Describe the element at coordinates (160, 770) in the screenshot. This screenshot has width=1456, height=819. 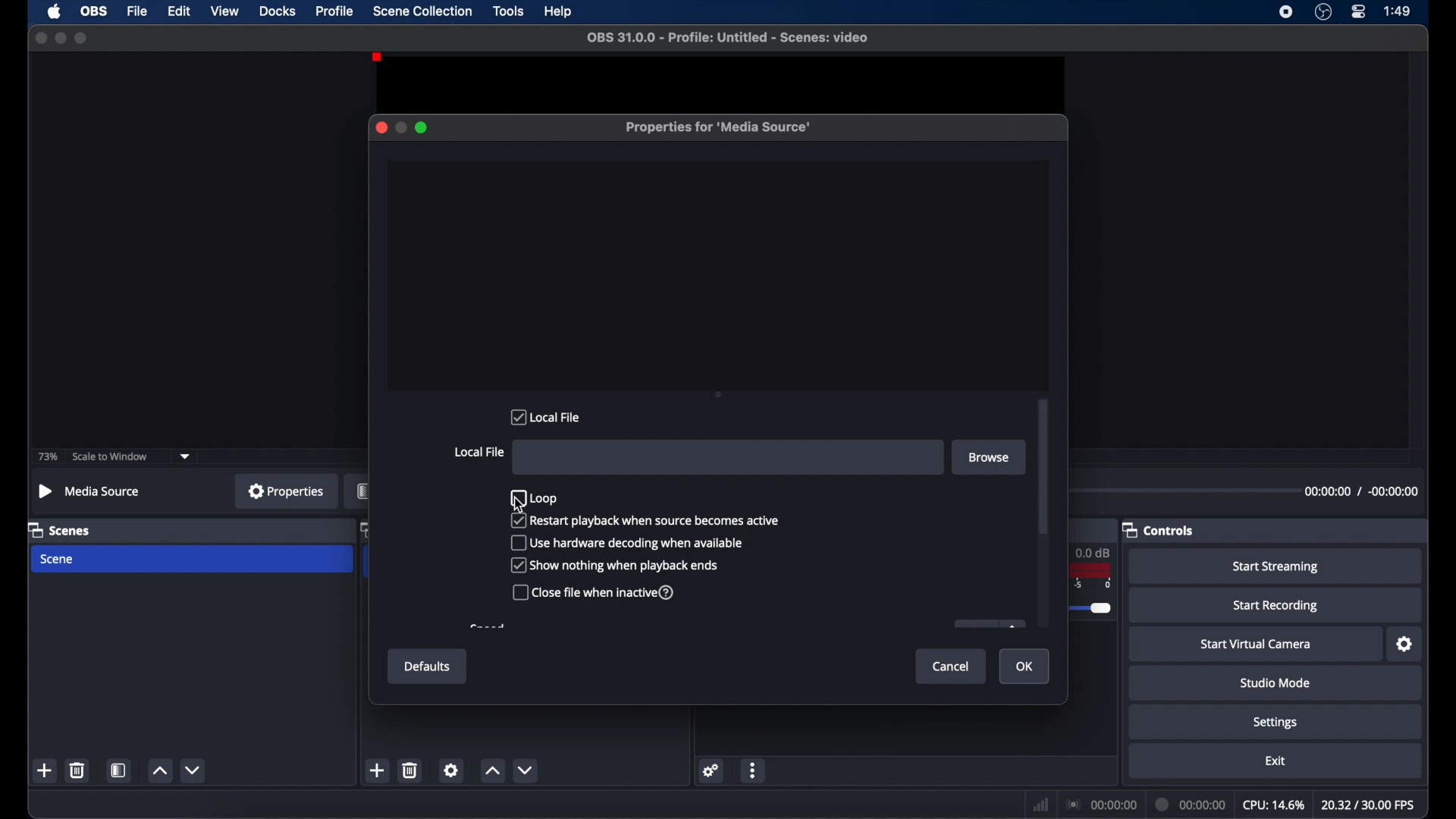
I see `increment` at that location.